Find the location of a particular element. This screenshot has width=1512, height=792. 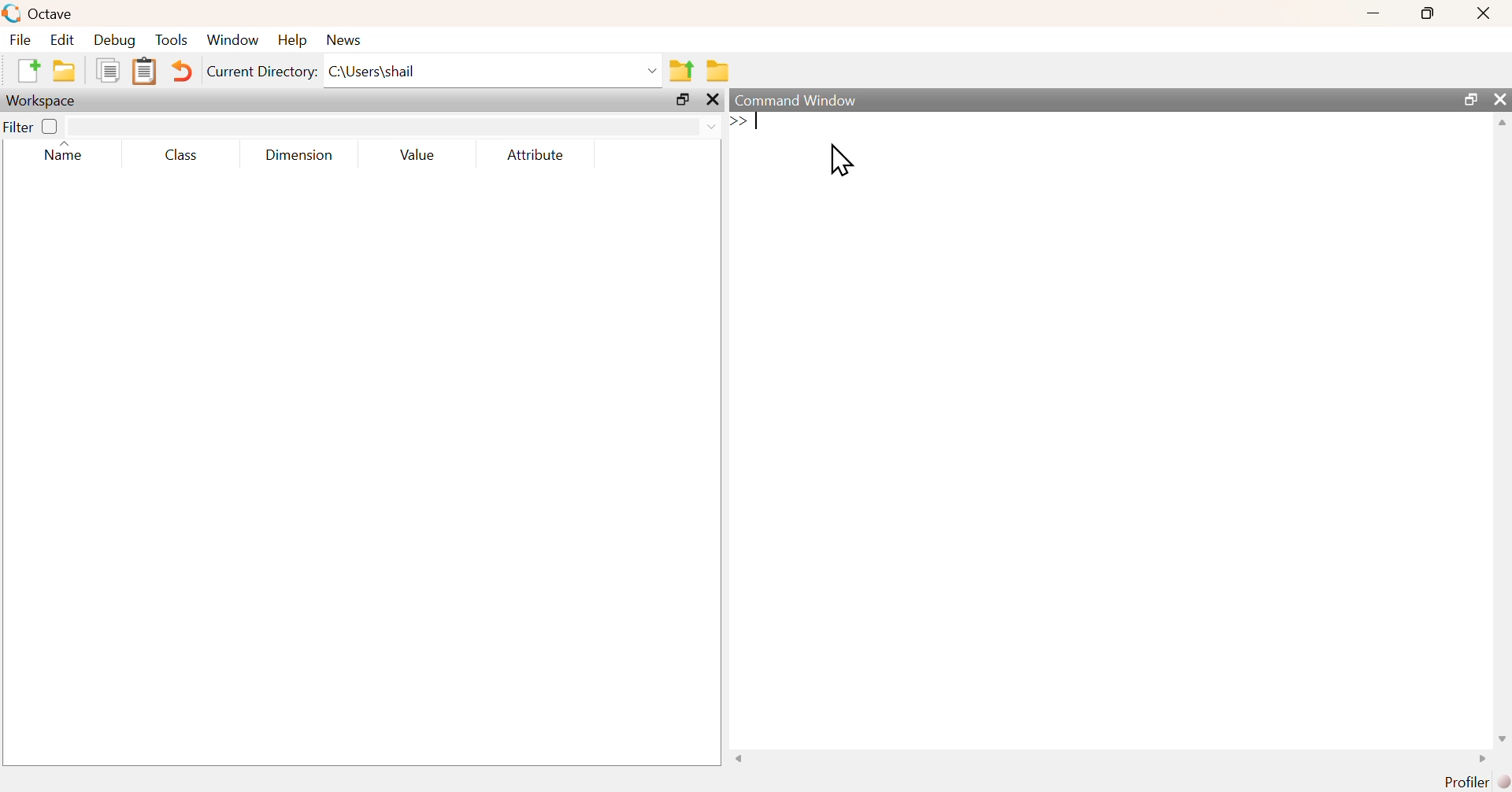

Dimension is located at coordinates (299, 156).